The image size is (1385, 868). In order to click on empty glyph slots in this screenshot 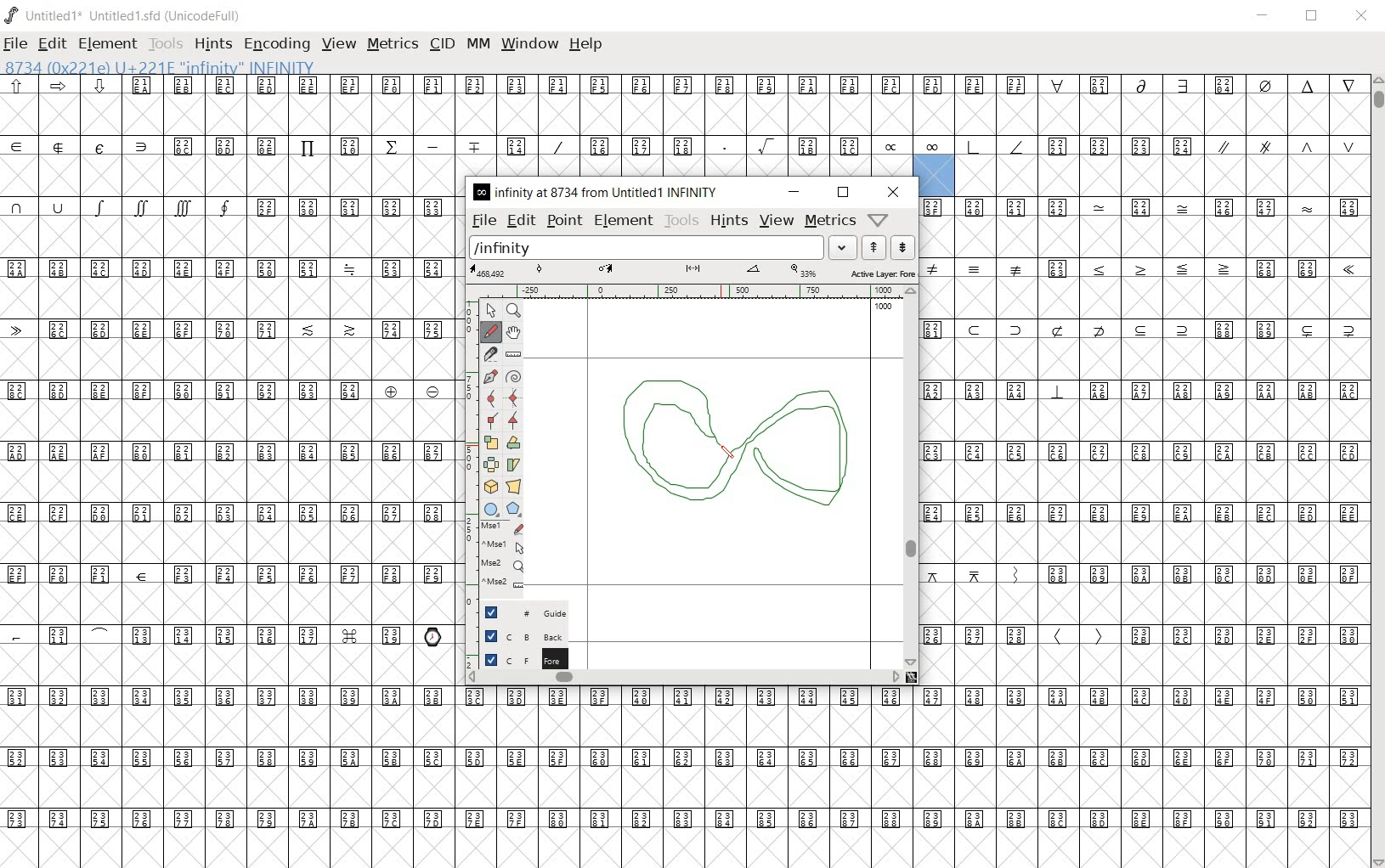, I will do `click(683, 786)`.